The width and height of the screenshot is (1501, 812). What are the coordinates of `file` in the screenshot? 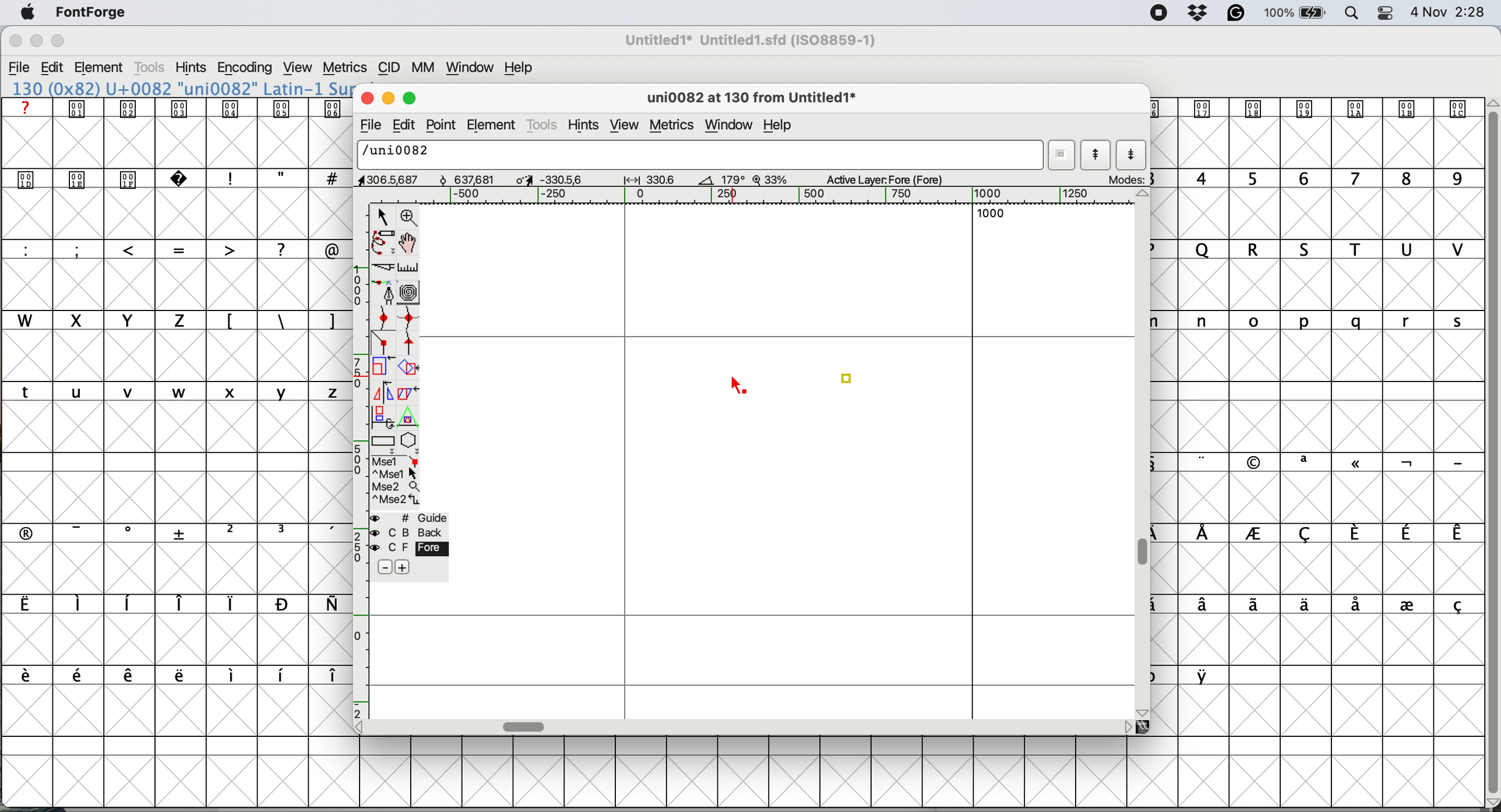 It's located at (20, 68).